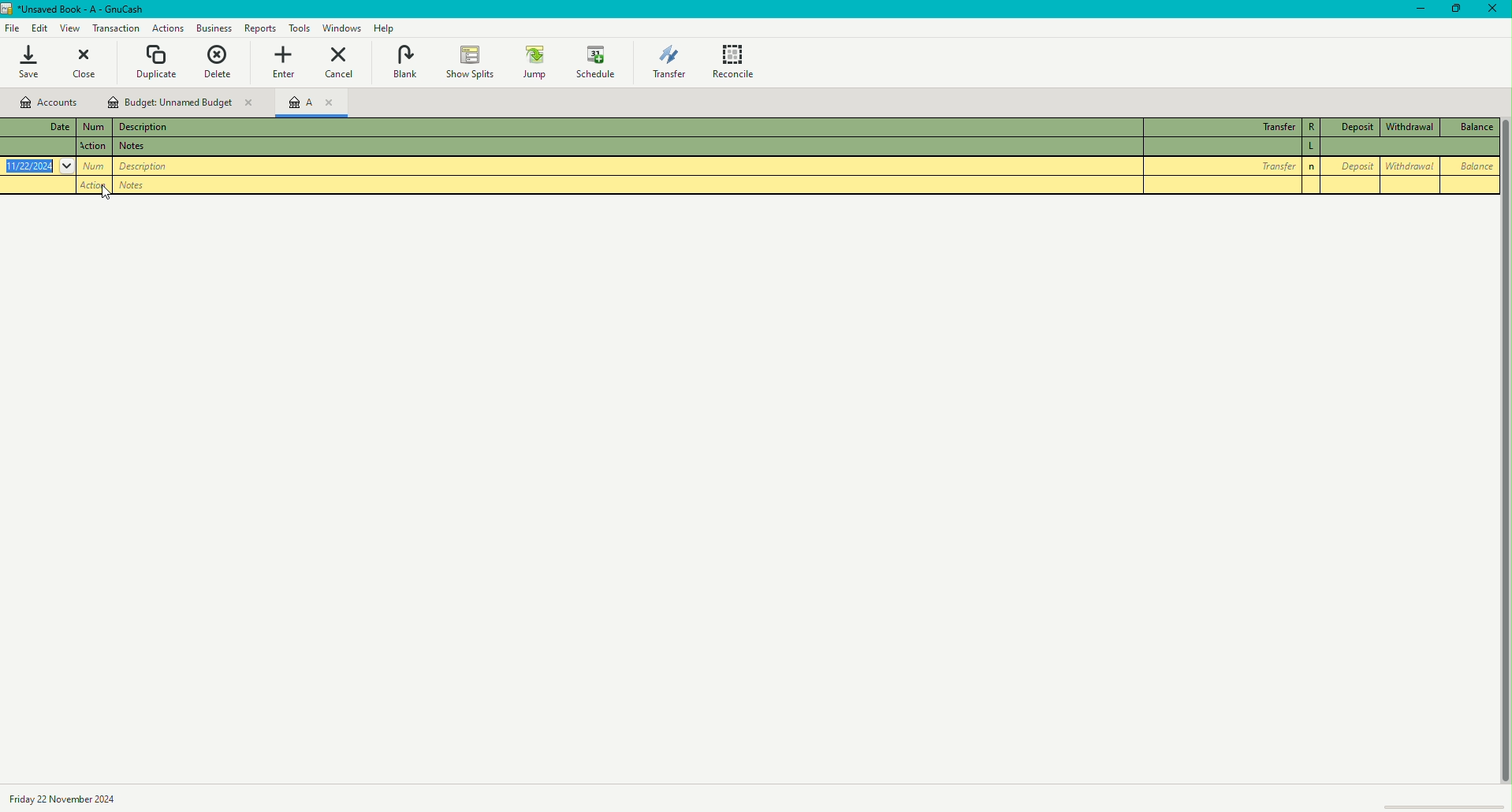 The height and width of the screenshot is (812, 1512). I want to click on cursor, so click(106, 192).